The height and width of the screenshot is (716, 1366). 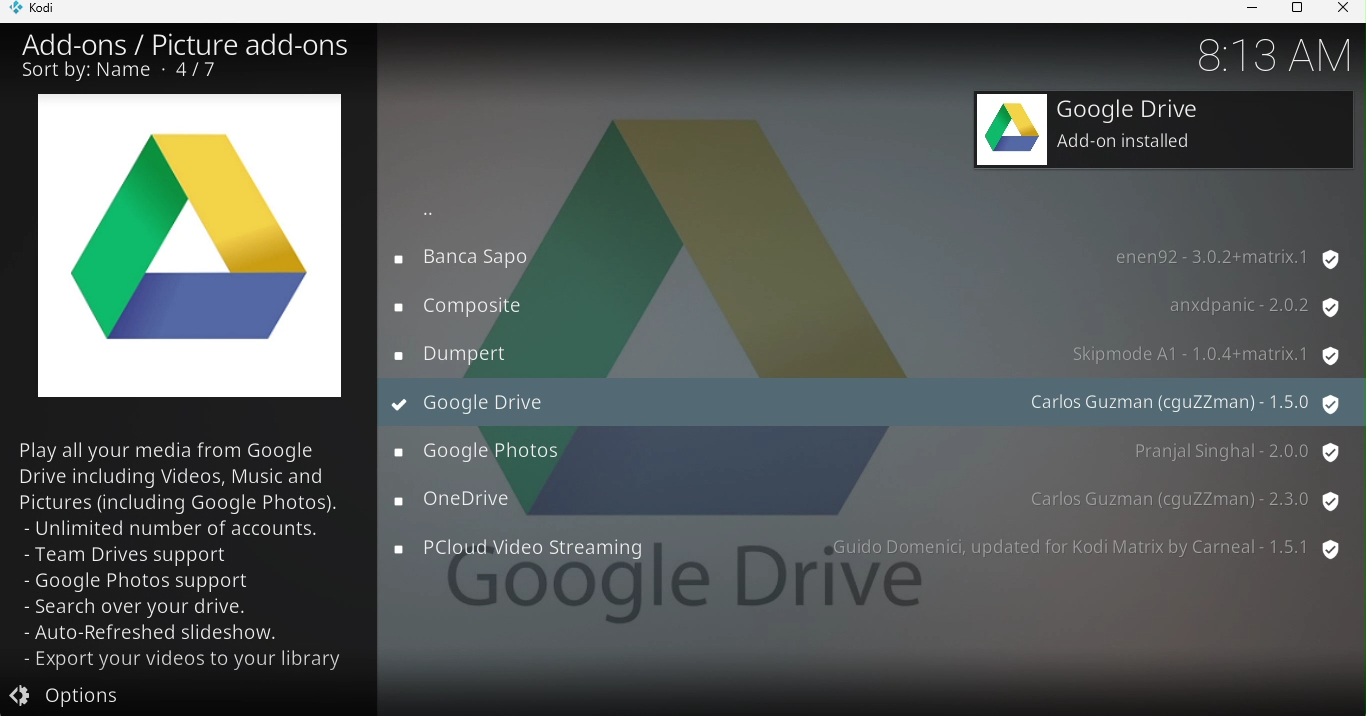 I want to click on One drive icon, so click(x=194, y=253).